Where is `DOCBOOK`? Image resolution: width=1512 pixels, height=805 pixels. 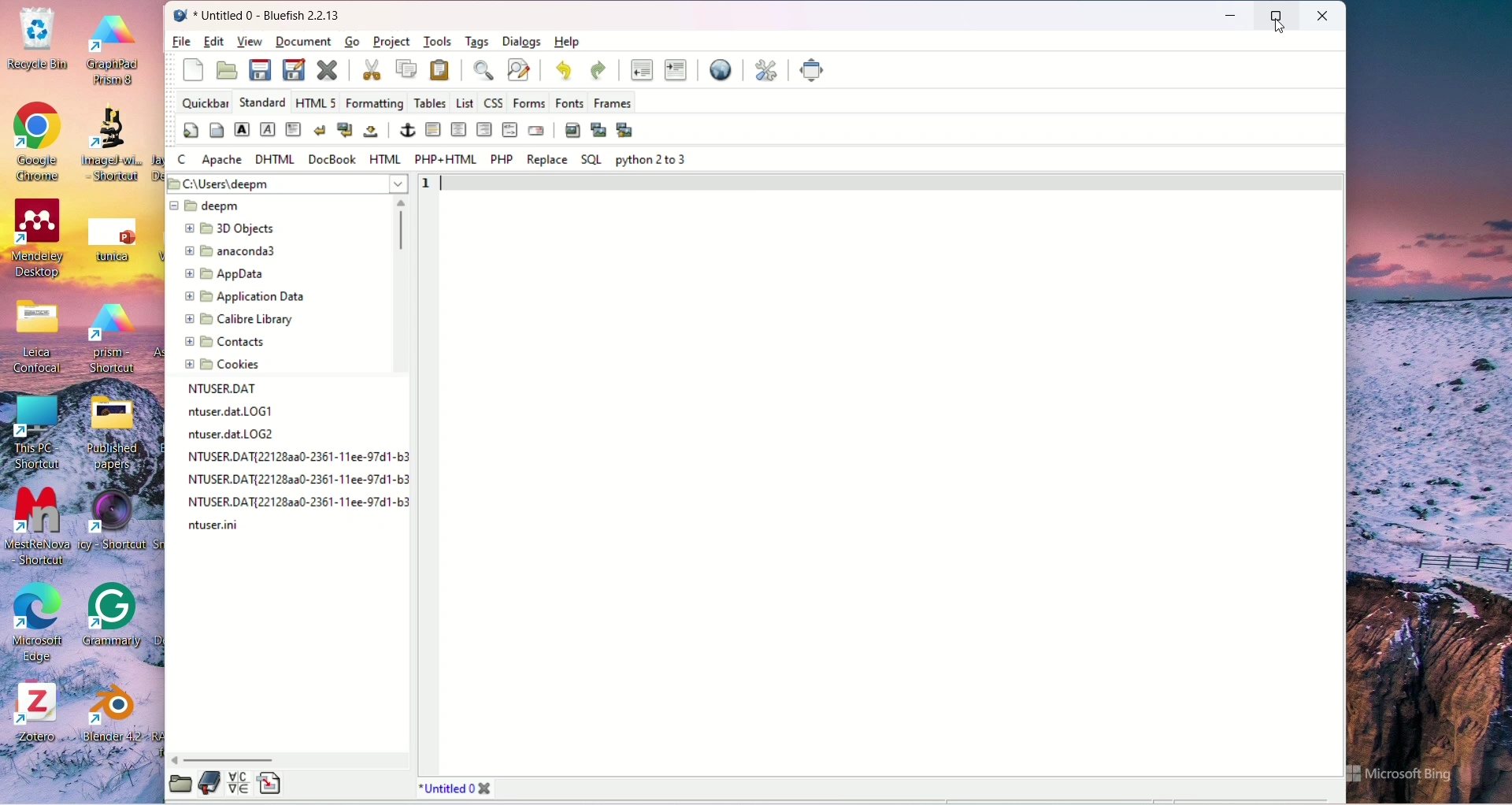 DOCBOOK is located at coordinates (332, 158).